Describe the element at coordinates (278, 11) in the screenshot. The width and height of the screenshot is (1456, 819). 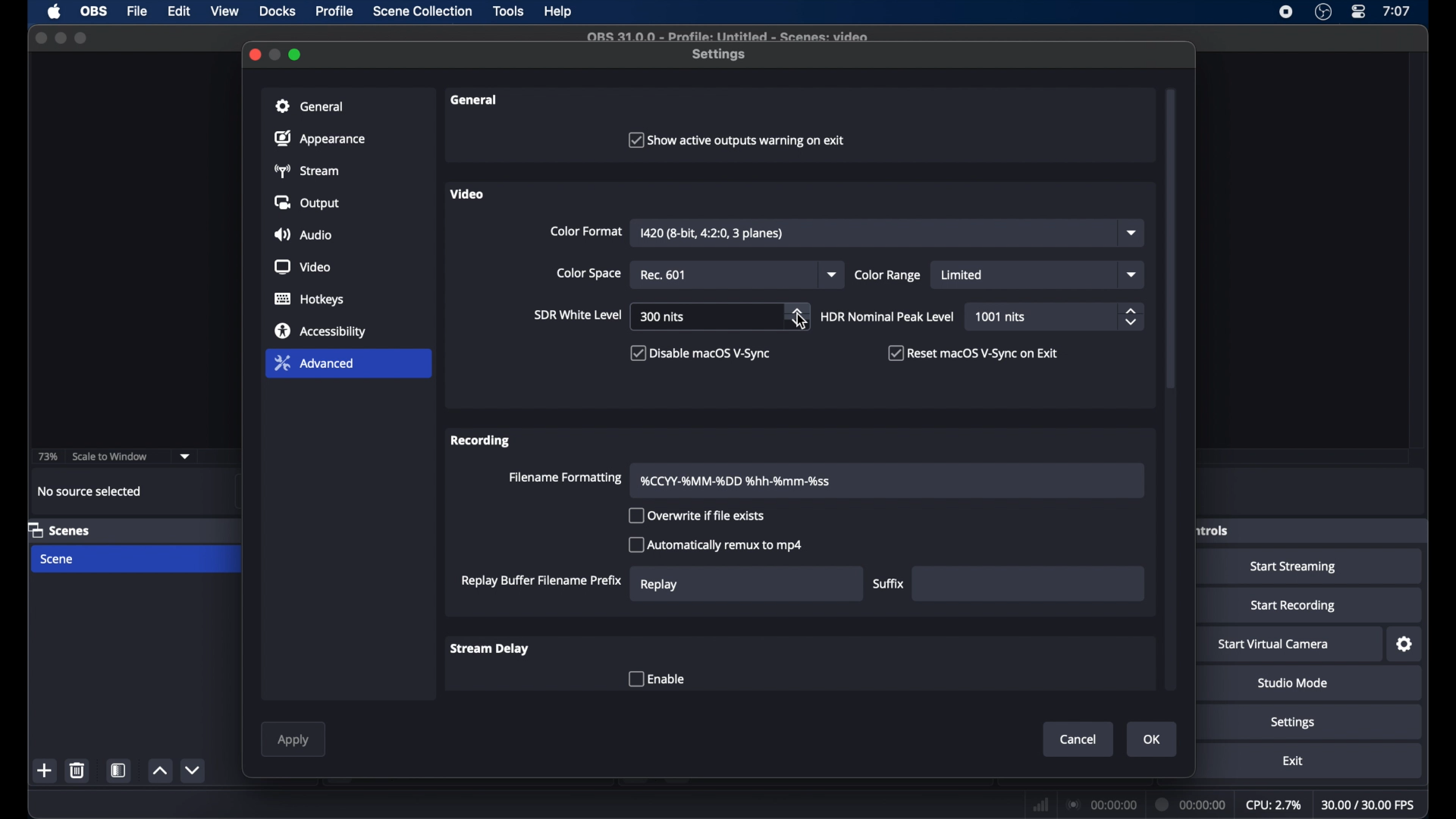
I see `docks` at that location.